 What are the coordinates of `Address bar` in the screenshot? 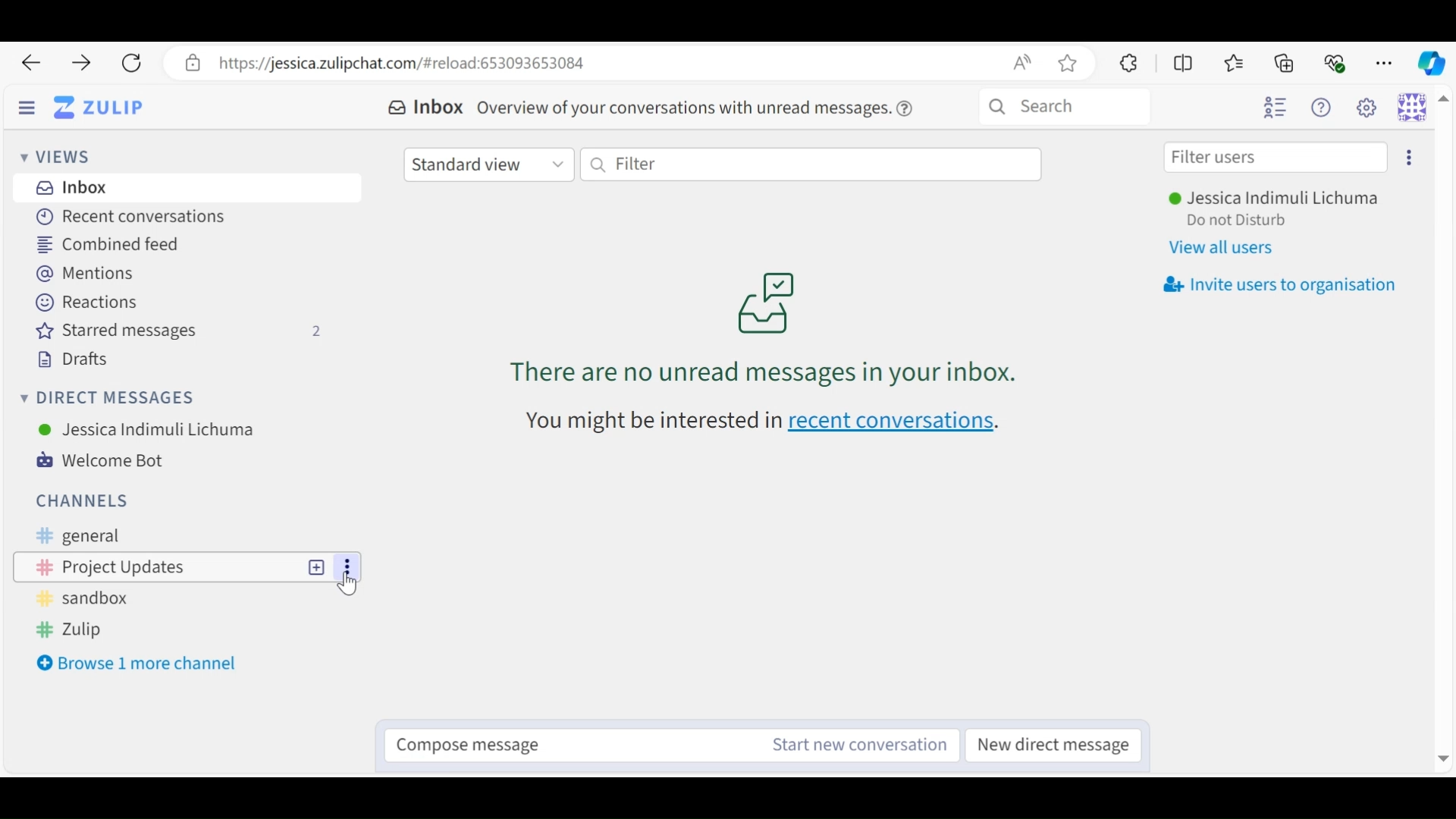 It's located at (629, 63).